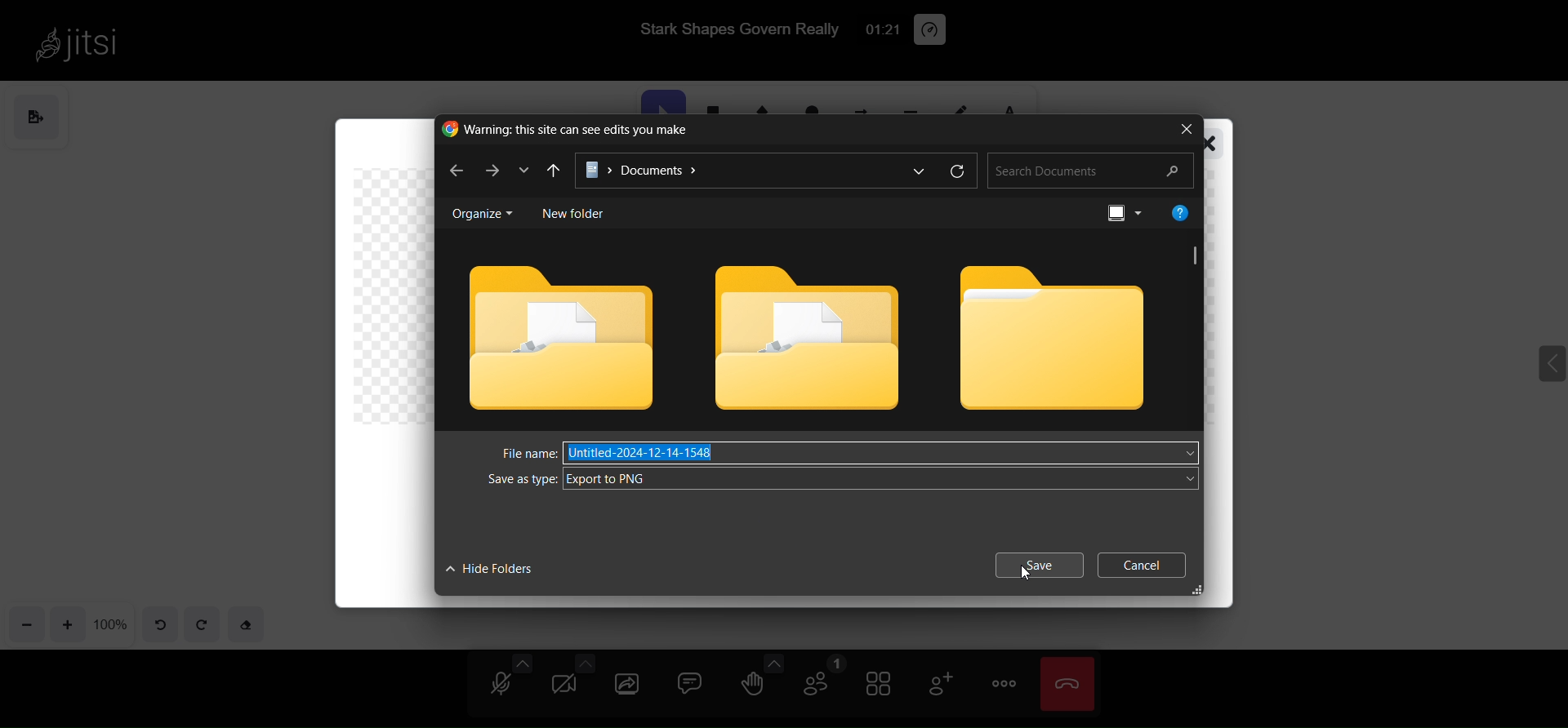 This screenshot has width=1568, height=728. I want to click on dropdown, so click(1192, 478).